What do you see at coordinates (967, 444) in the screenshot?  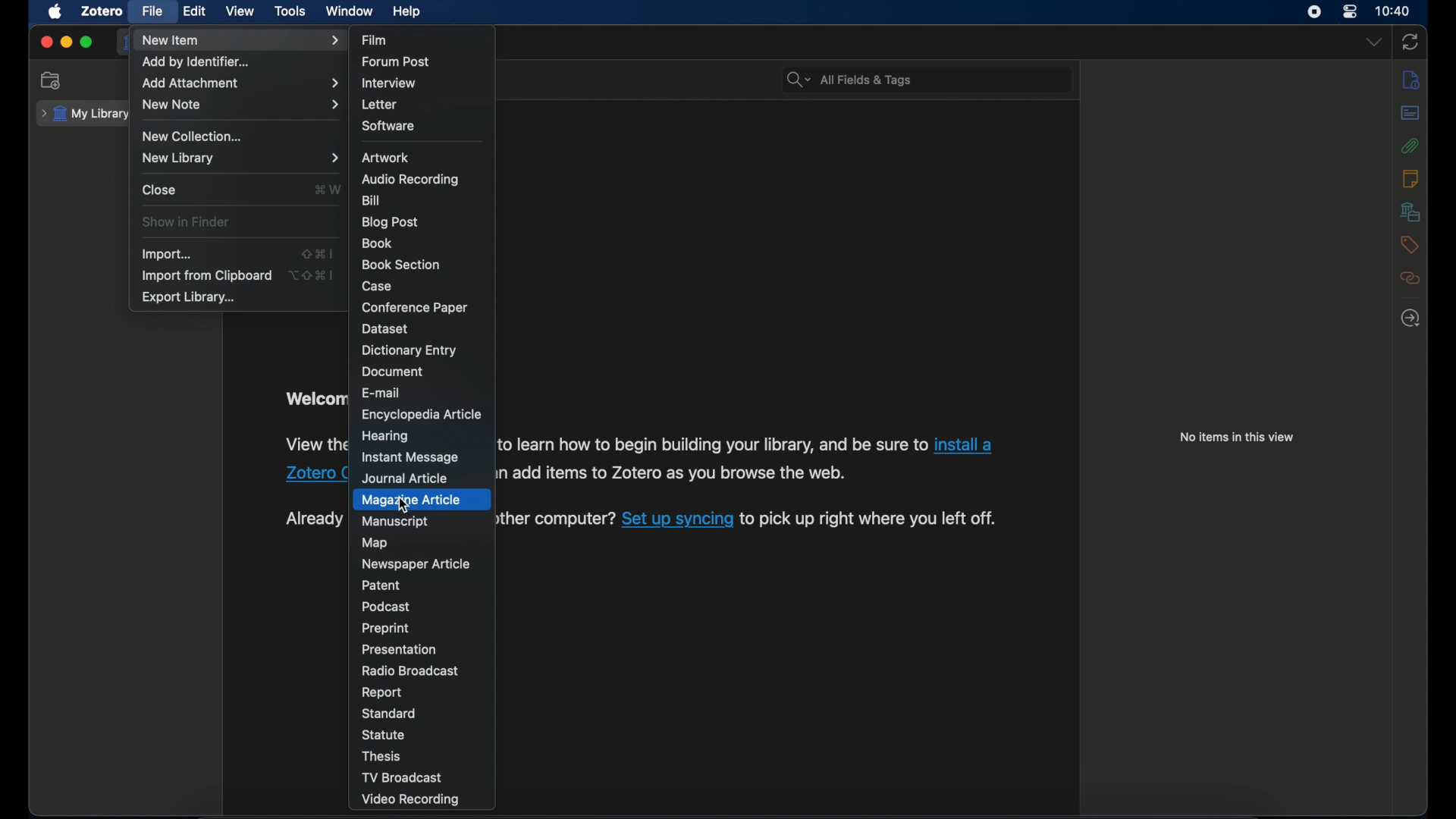 I see `install a` at bounding box center [967, 444].